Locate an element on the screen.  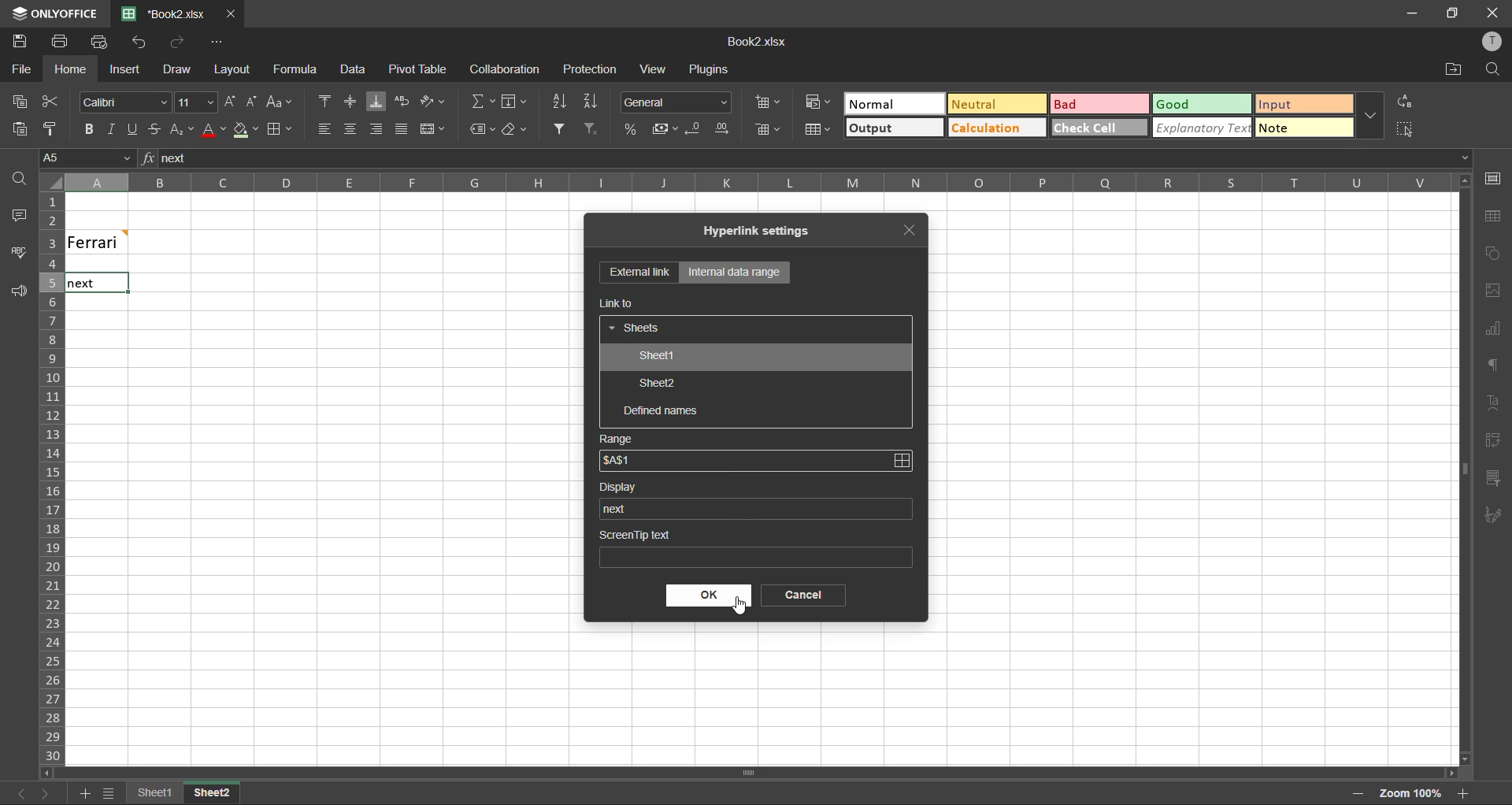
italic is located at coordinates (109, 129).